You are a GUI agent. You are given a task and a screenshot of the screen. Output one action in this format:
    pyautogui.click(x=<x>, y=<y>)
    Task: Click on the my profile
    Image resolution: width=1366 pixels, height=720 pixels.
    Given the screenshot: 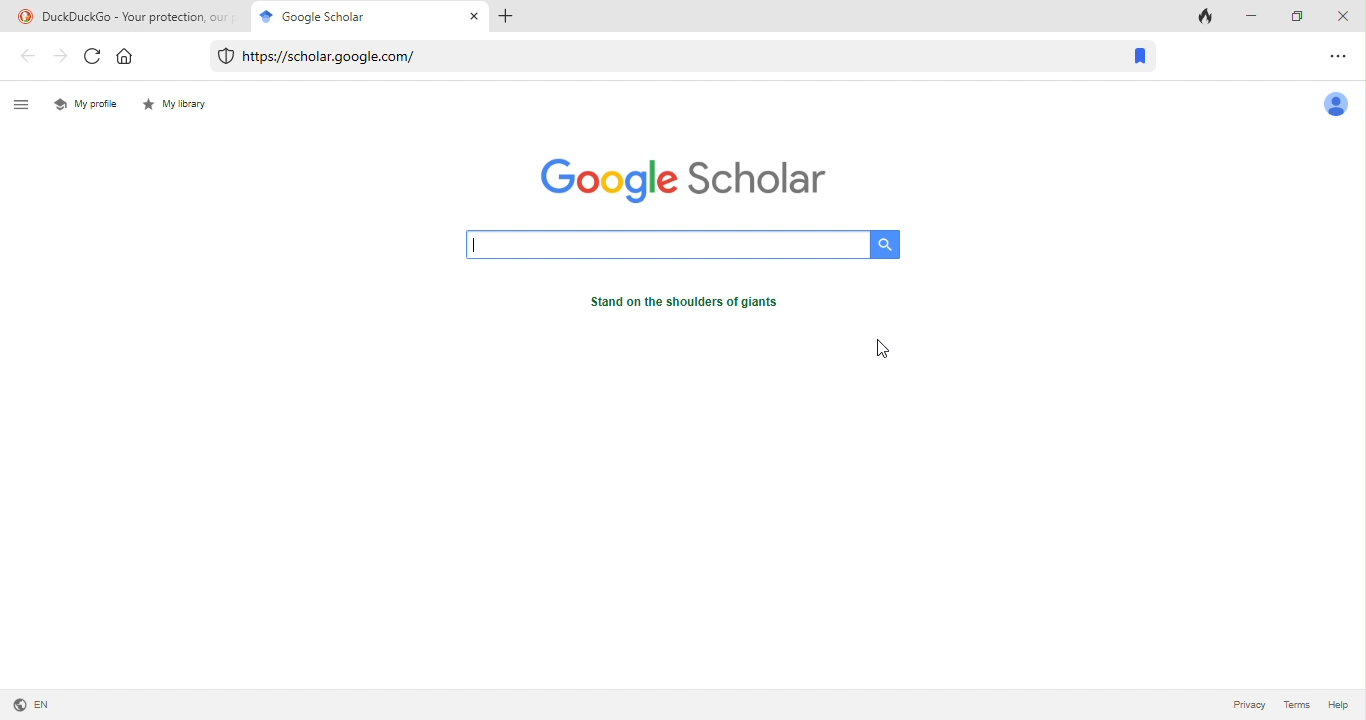 What is the action you would take?
    pyautogui.click(x=86, y=103)
    